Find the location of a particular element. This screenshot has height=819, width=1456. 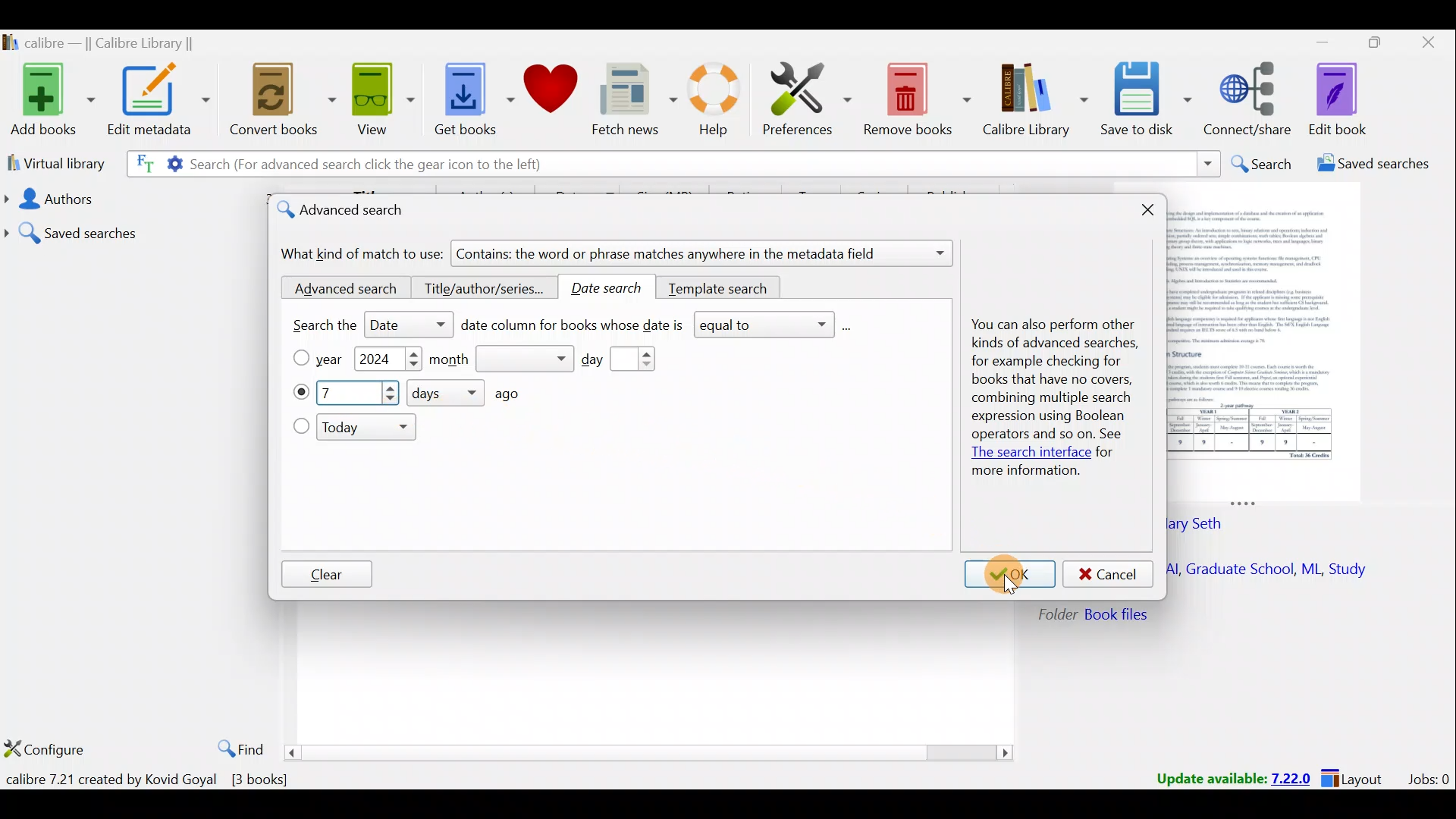

Cursor is located at coordinates (1028, 572).